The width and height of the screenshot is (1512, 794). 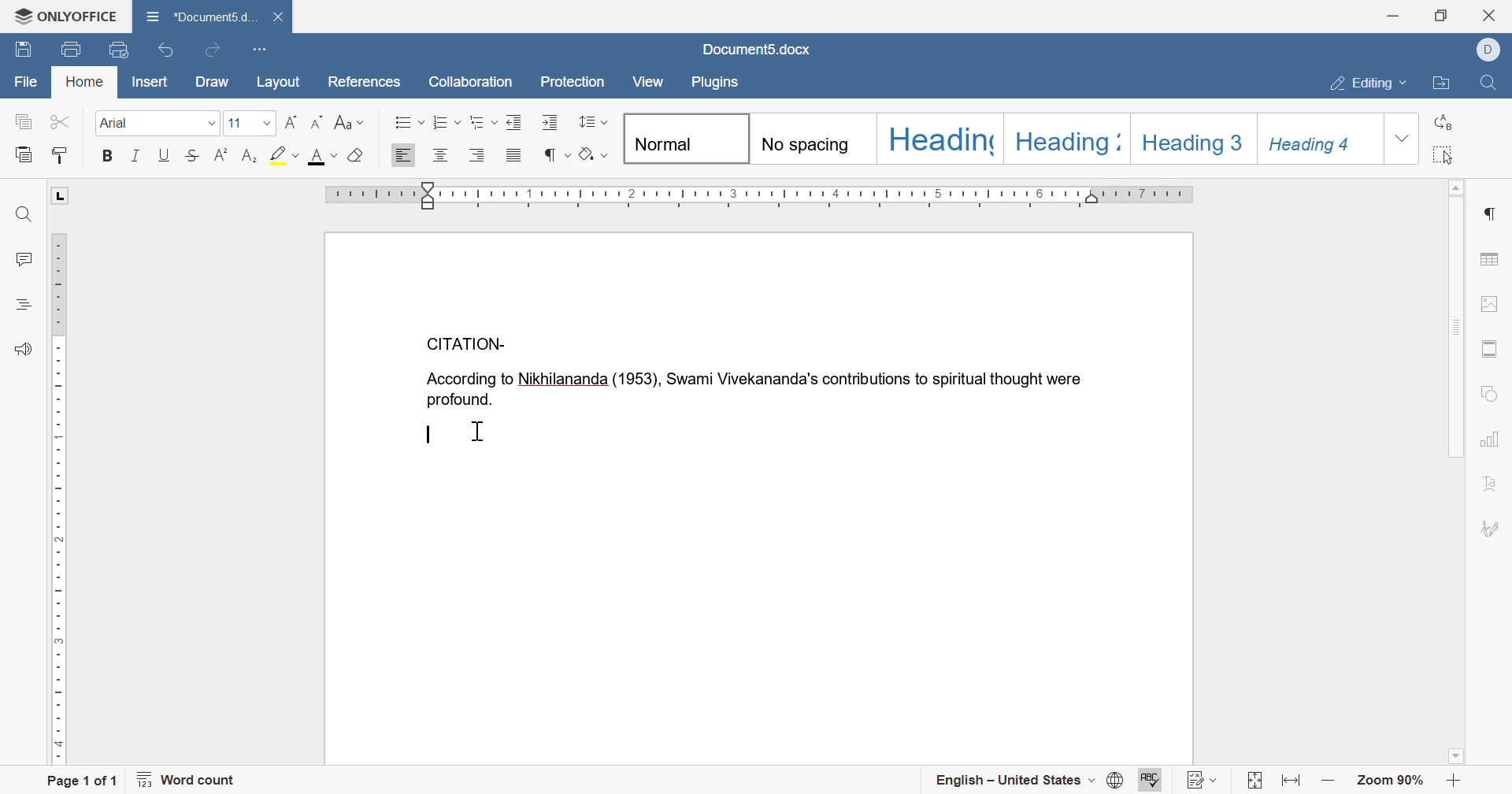 What do you see at coordinates (479, 155) in the screenshot?
I see `align right` at bounding box center [479, 155].